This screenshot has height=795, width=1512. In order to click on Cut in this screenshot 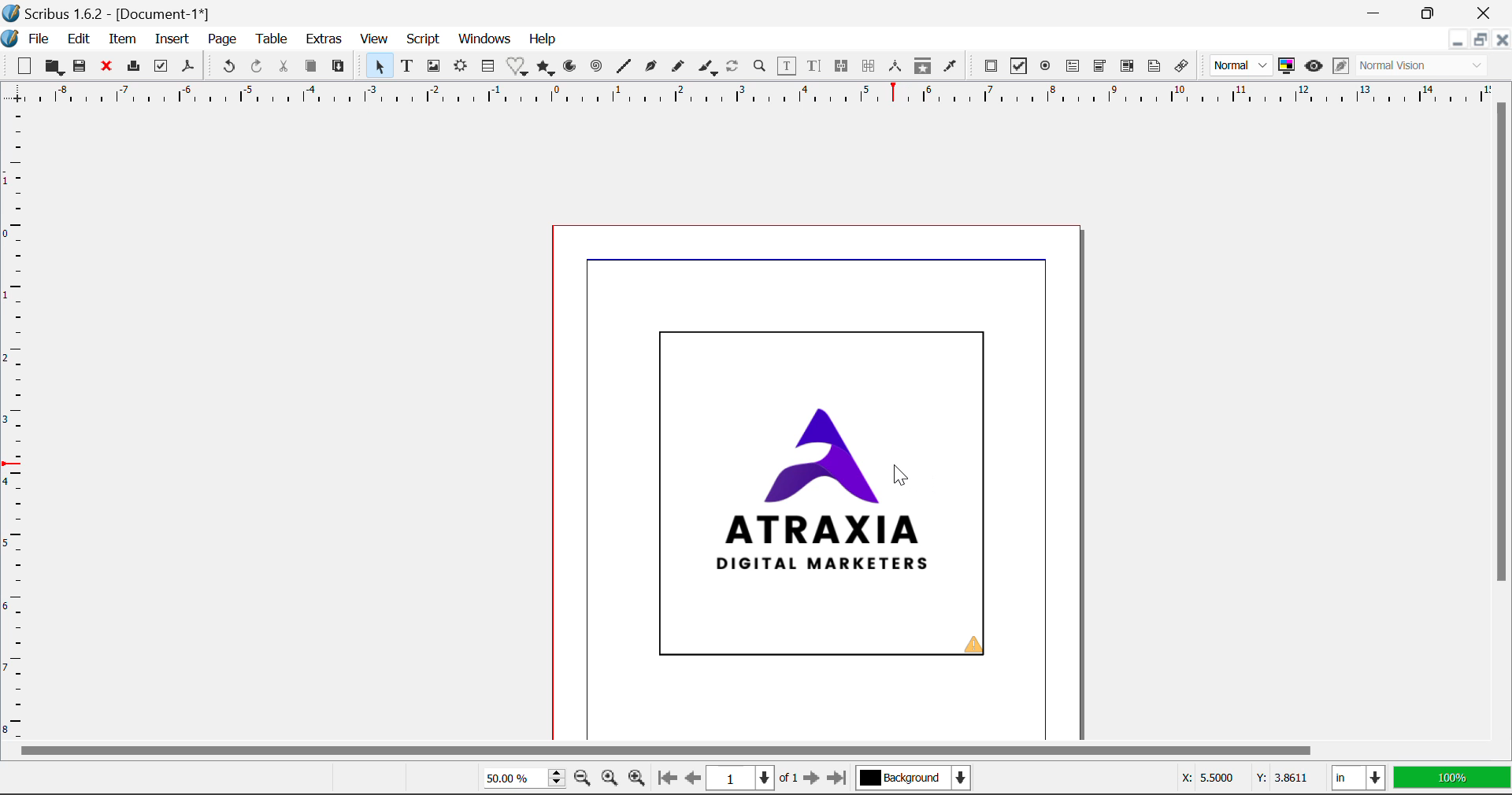, I will do `click(283, 68)`.